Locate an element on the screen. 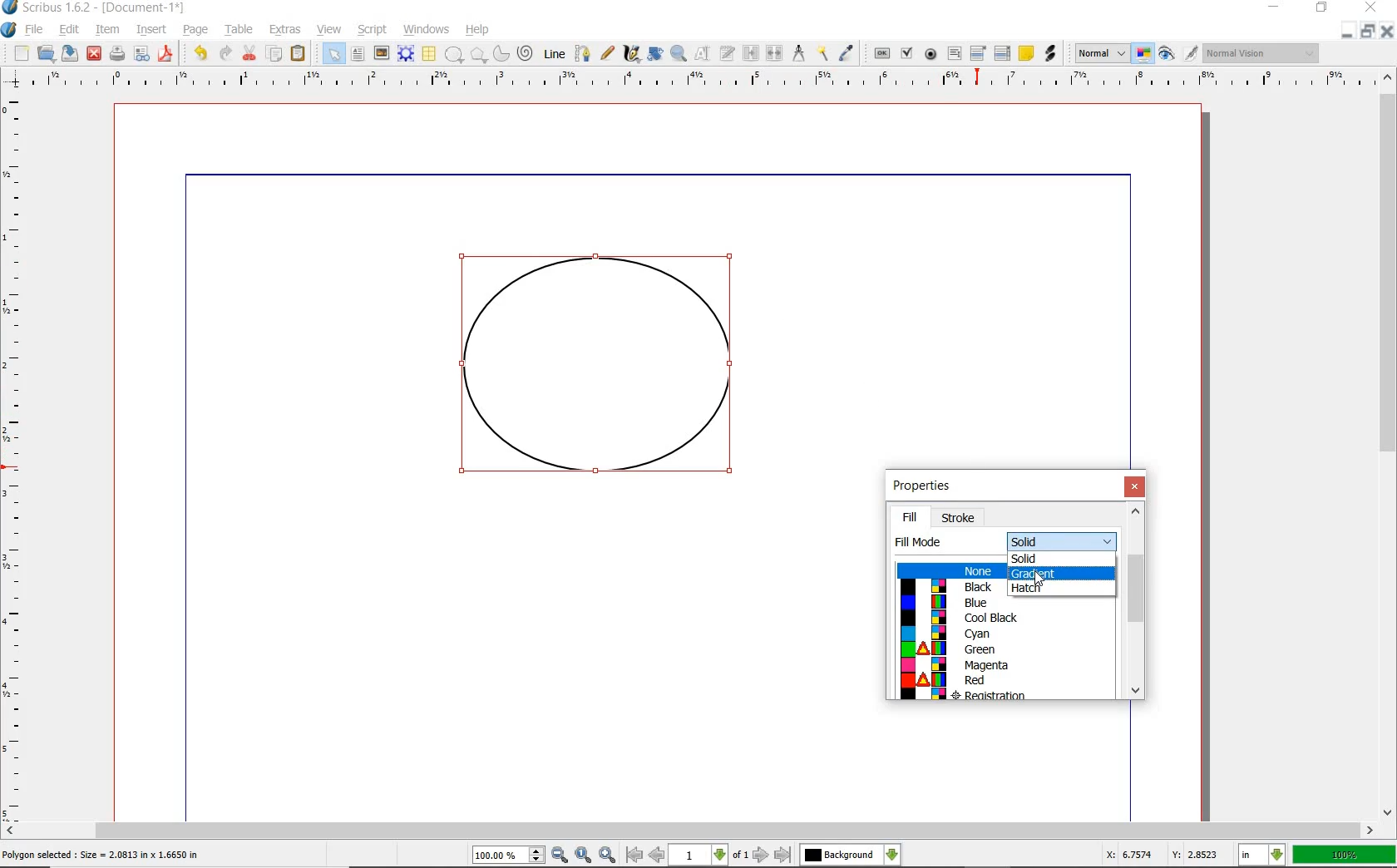  IMAGE is located at coordinates (381, 52).